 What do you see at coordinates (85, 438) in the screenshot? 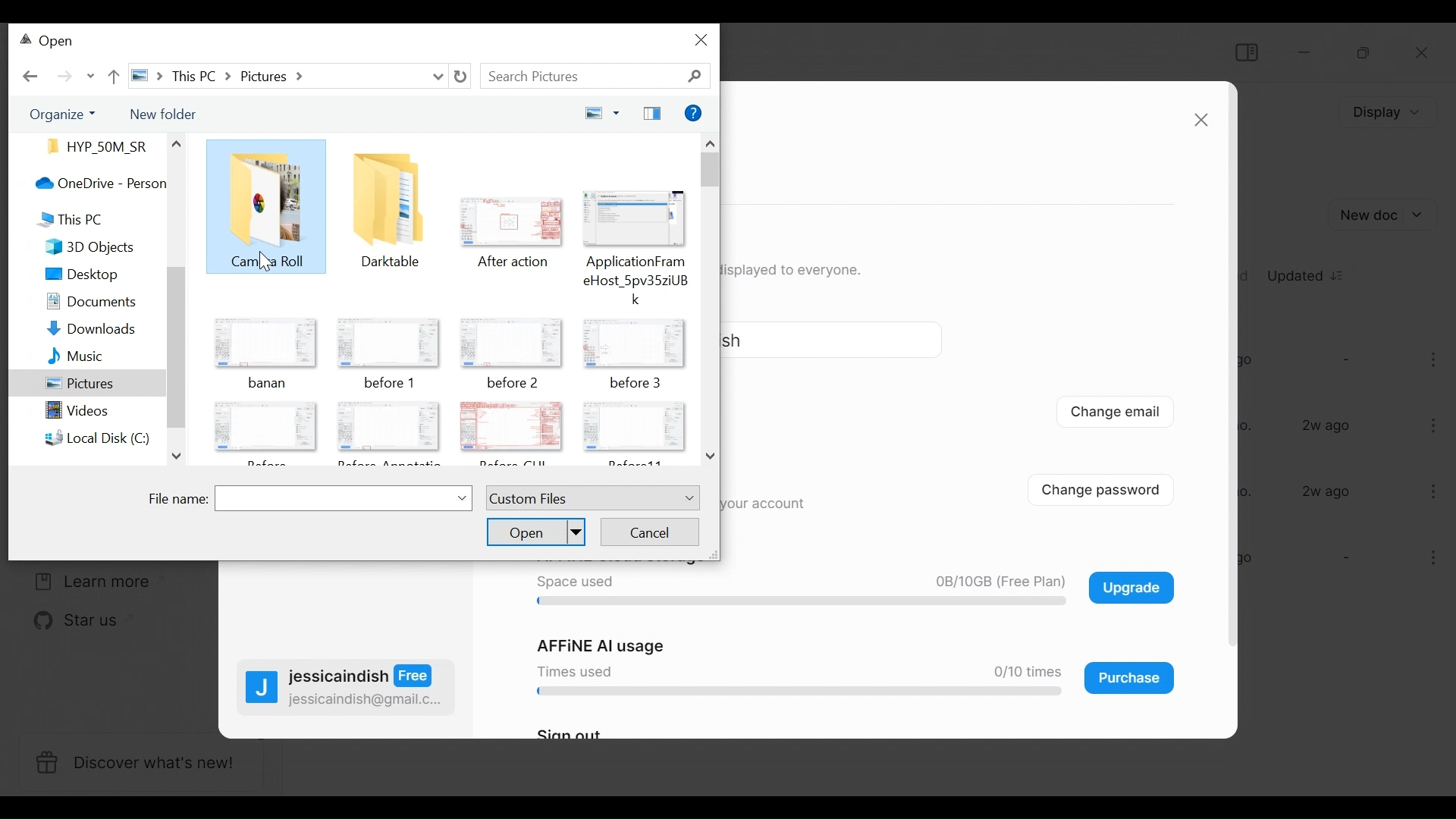
I see `Local Disk C` at bounding box center [85, 438].